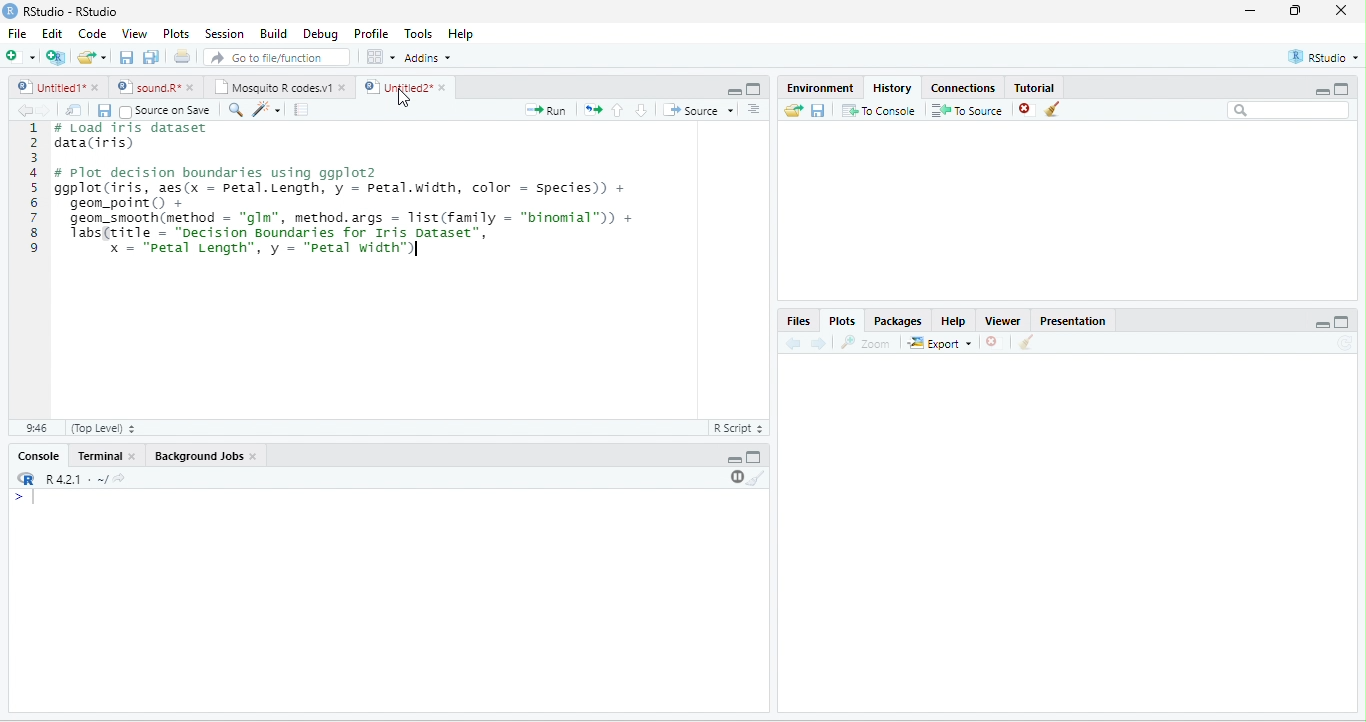  What do you see at coordinates (104, 111) in the screenshot?
I see `save` at bounding box center [104, 111].